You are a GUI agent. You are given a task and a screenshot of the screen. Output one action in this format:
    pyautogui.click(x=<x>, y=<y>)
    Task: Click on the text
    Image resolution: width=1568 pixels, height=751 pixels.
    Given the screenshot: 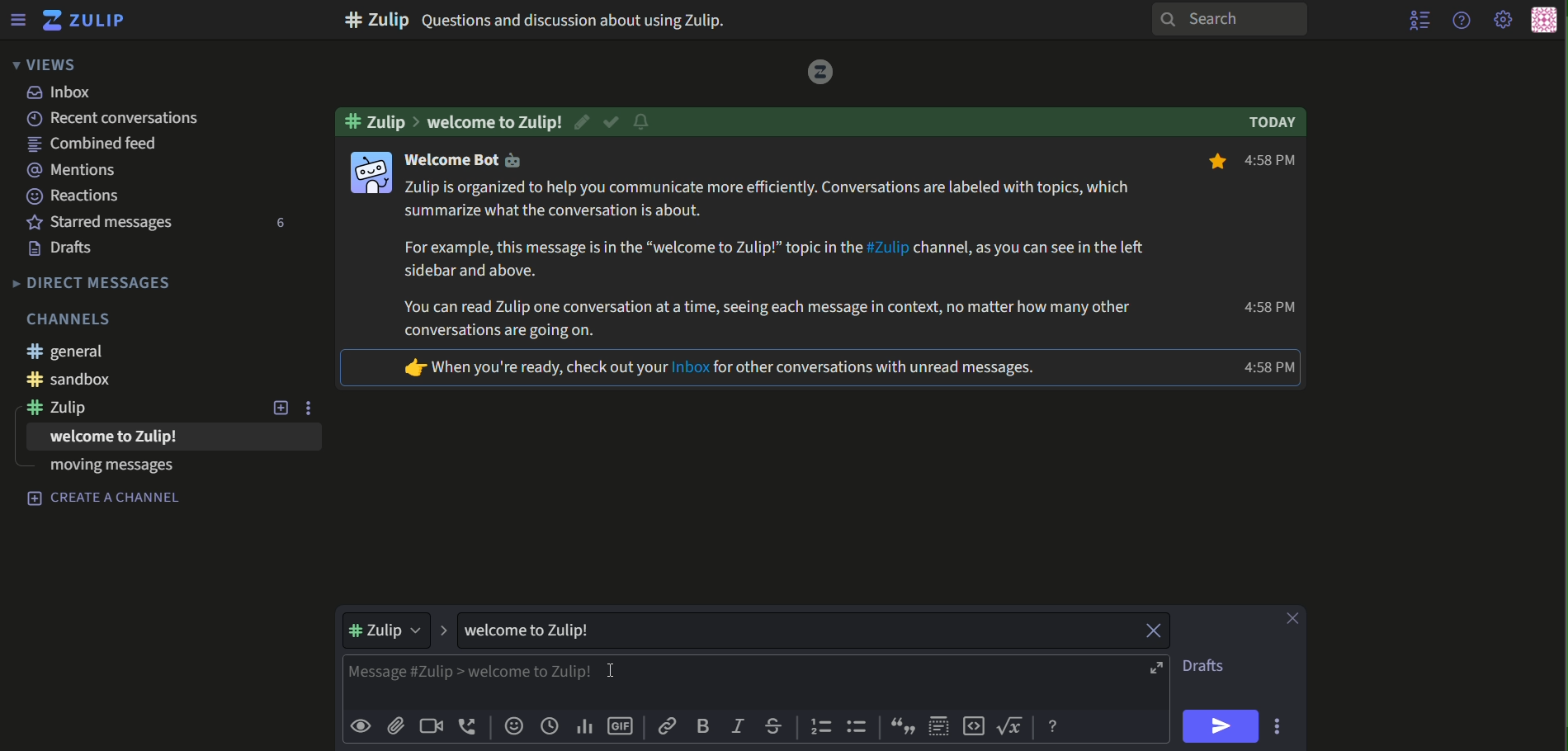 What is the action you would take?
    pyautogui.click(x=67, y=352)
    